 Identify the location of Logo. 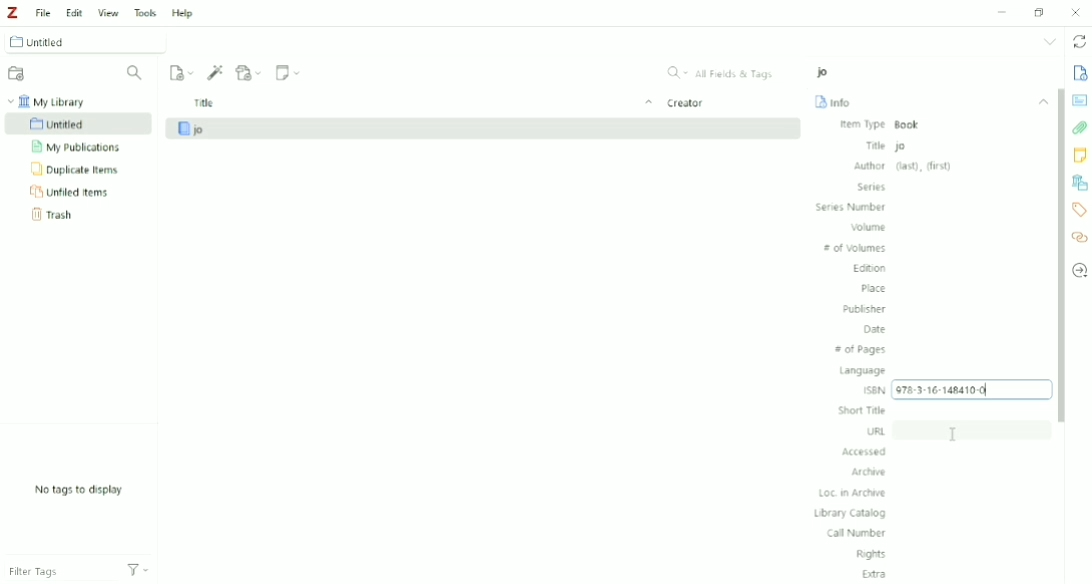
(12, 12).